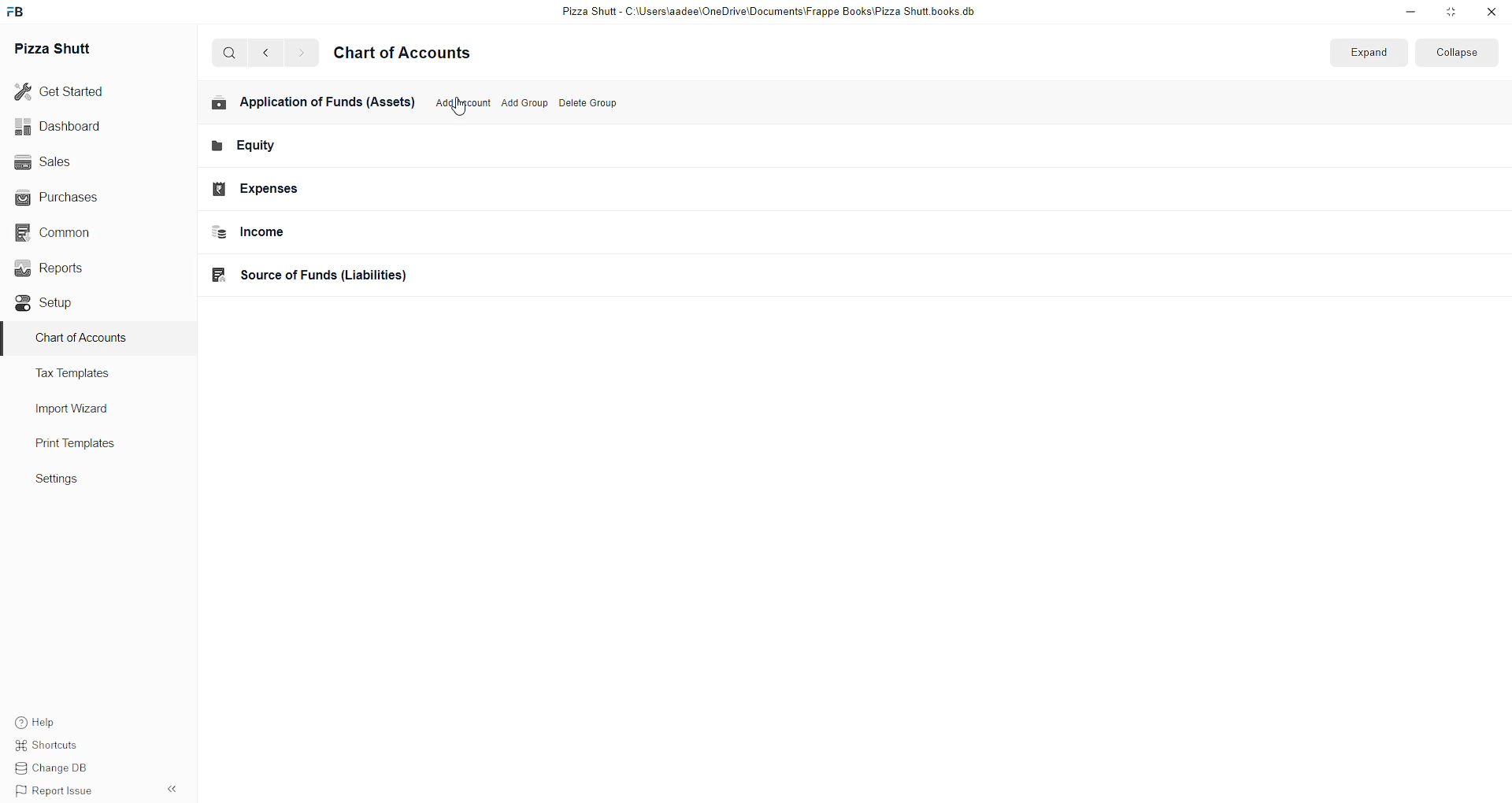  I want to click on Frappe Book Logo, so click(23, 12).